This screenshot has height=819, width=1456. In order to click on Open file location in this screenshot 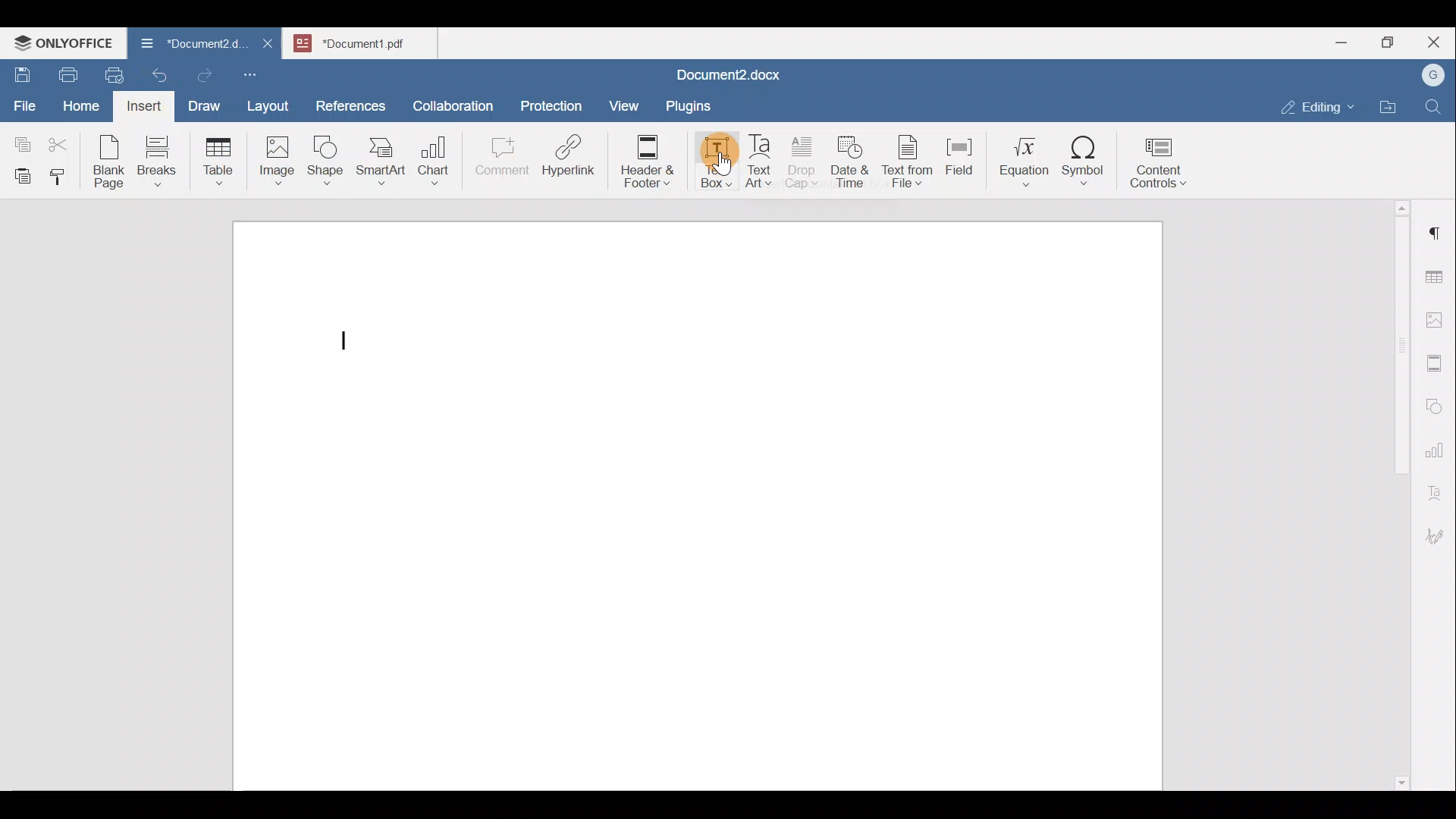, I will do `click(1389, 108)`.